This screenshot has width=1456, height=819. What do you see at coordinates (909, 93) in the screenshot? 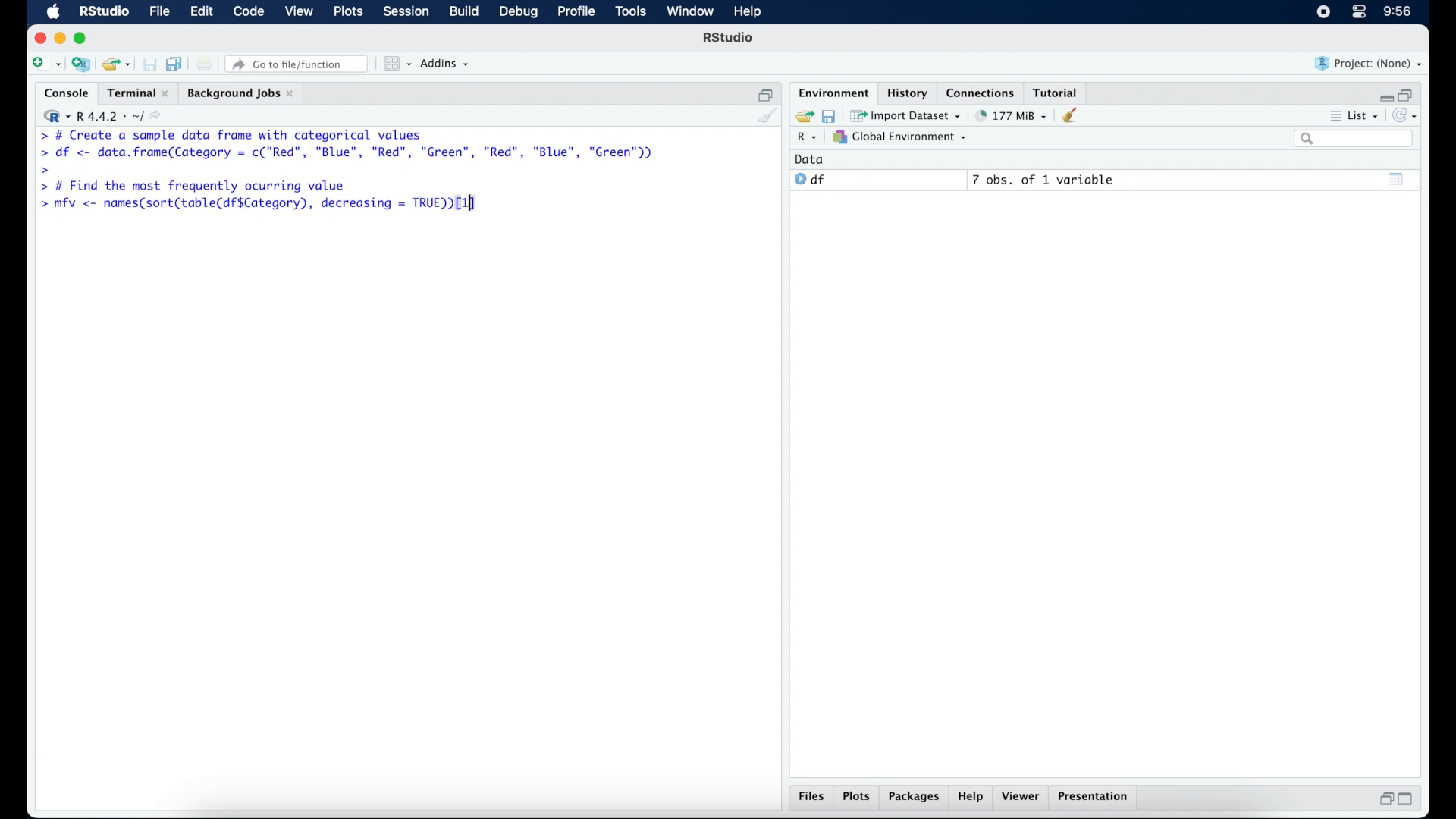
I see `history` at bounding box center [909, 93].